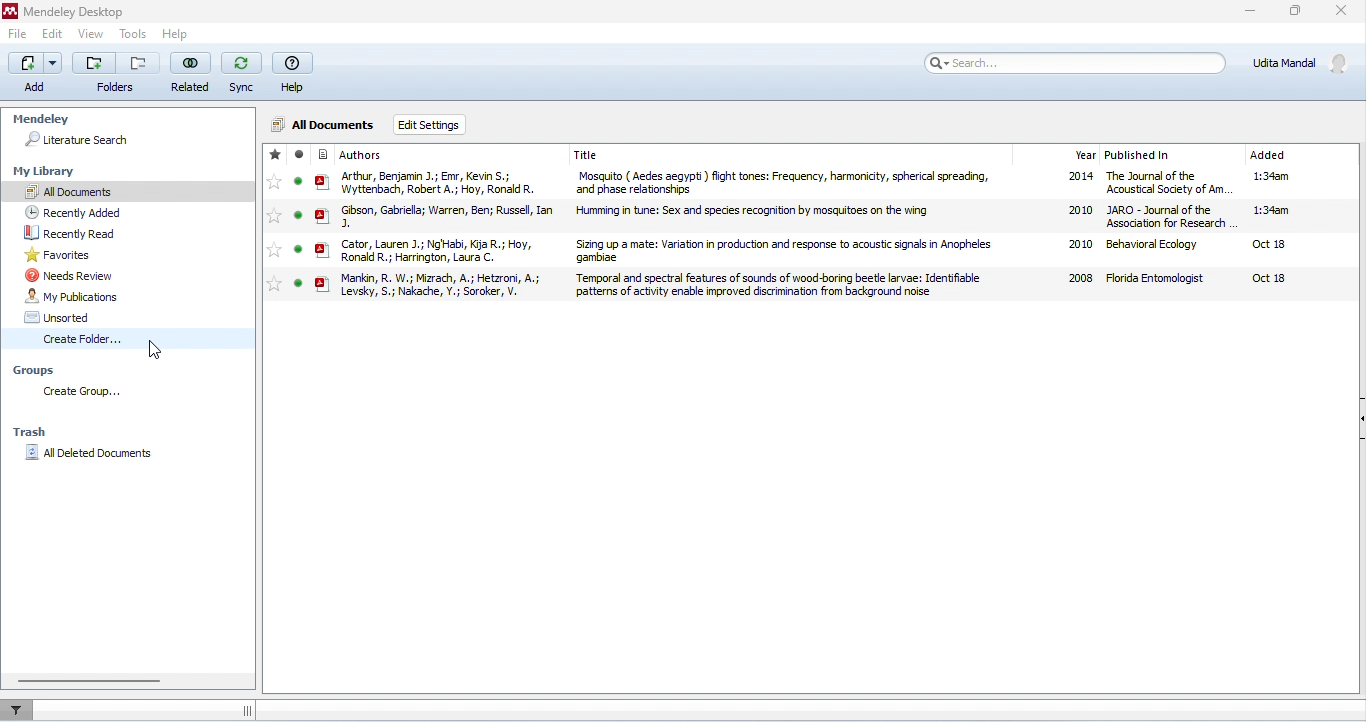 This screenshot has height=722, width=1366. I want to click on sync, so click(241, 73).